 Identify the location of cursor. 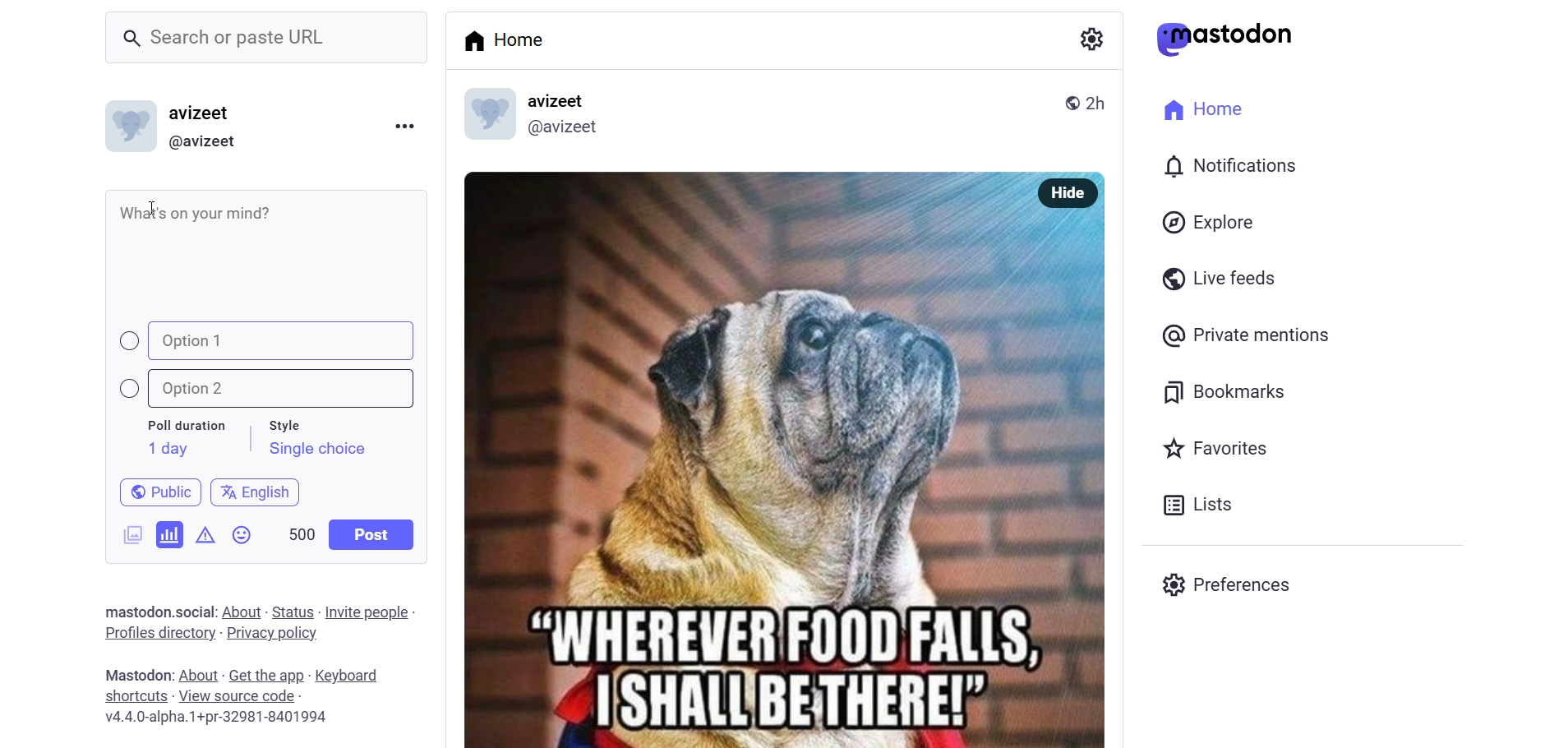
(157, 211).